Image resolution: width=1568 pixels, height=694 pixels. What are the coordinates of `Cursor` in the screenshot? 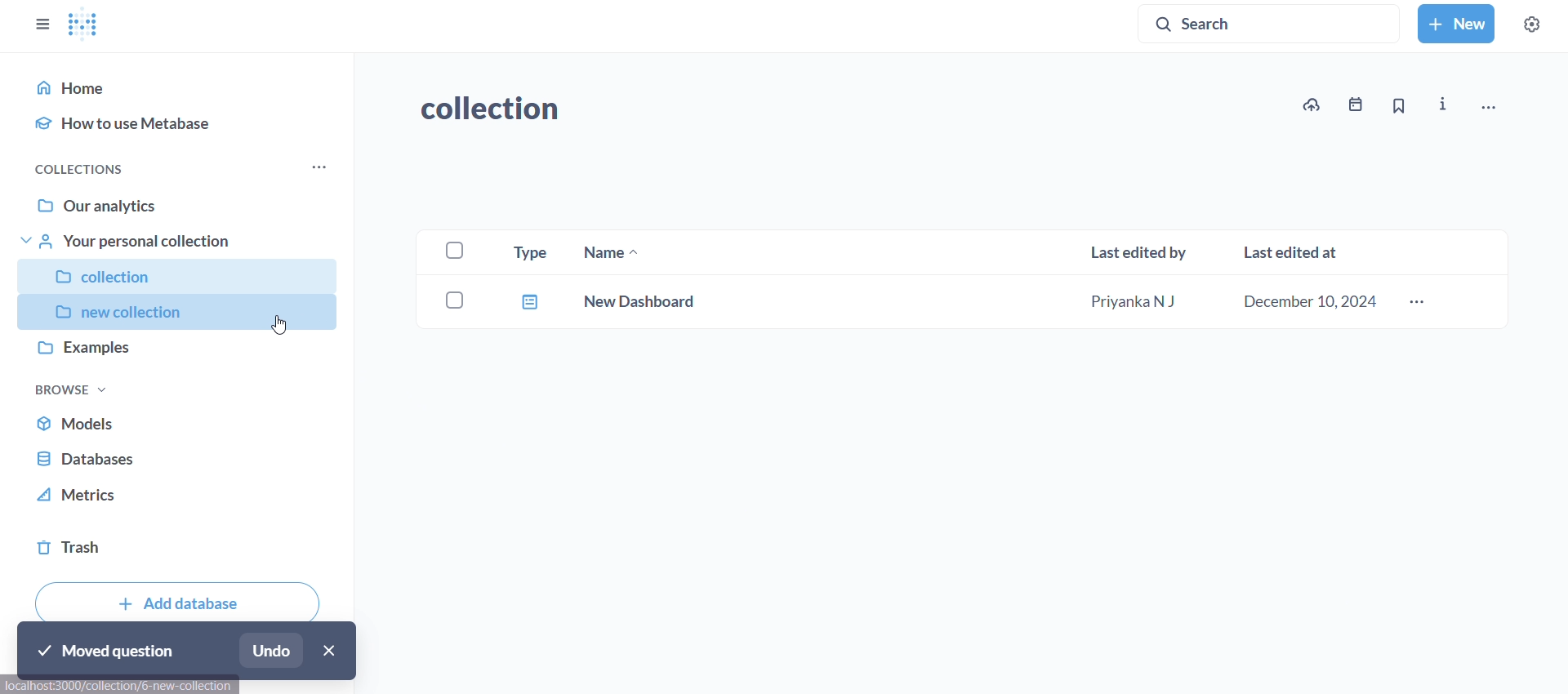 It's located at (281, 327).